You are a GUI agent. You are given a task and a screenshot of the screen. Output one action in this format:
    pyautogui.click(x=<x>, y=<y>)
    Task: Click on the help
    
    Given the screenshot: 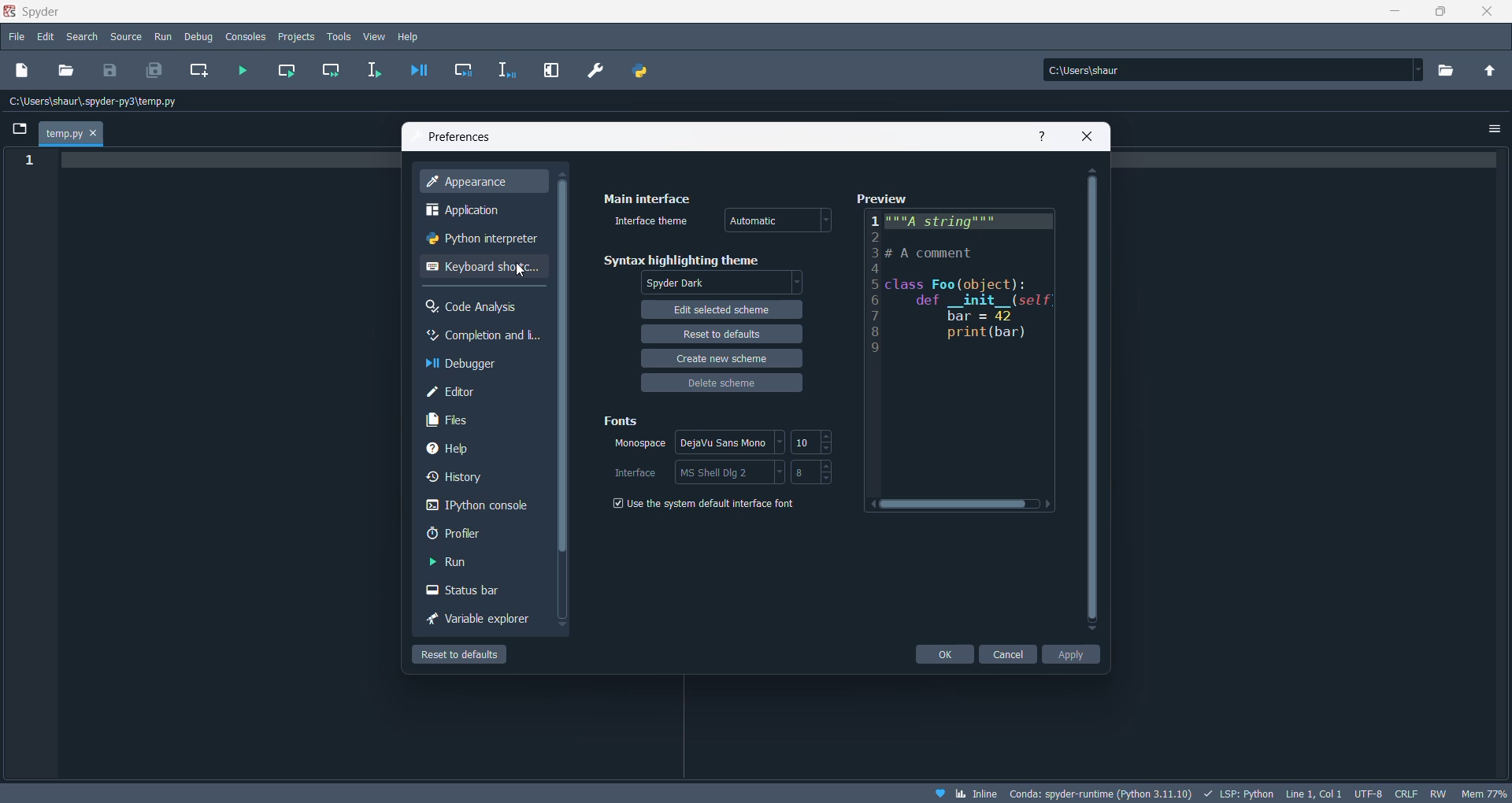 What is the action you would take?
    pyautogui.click(x=1041, y=135)
    